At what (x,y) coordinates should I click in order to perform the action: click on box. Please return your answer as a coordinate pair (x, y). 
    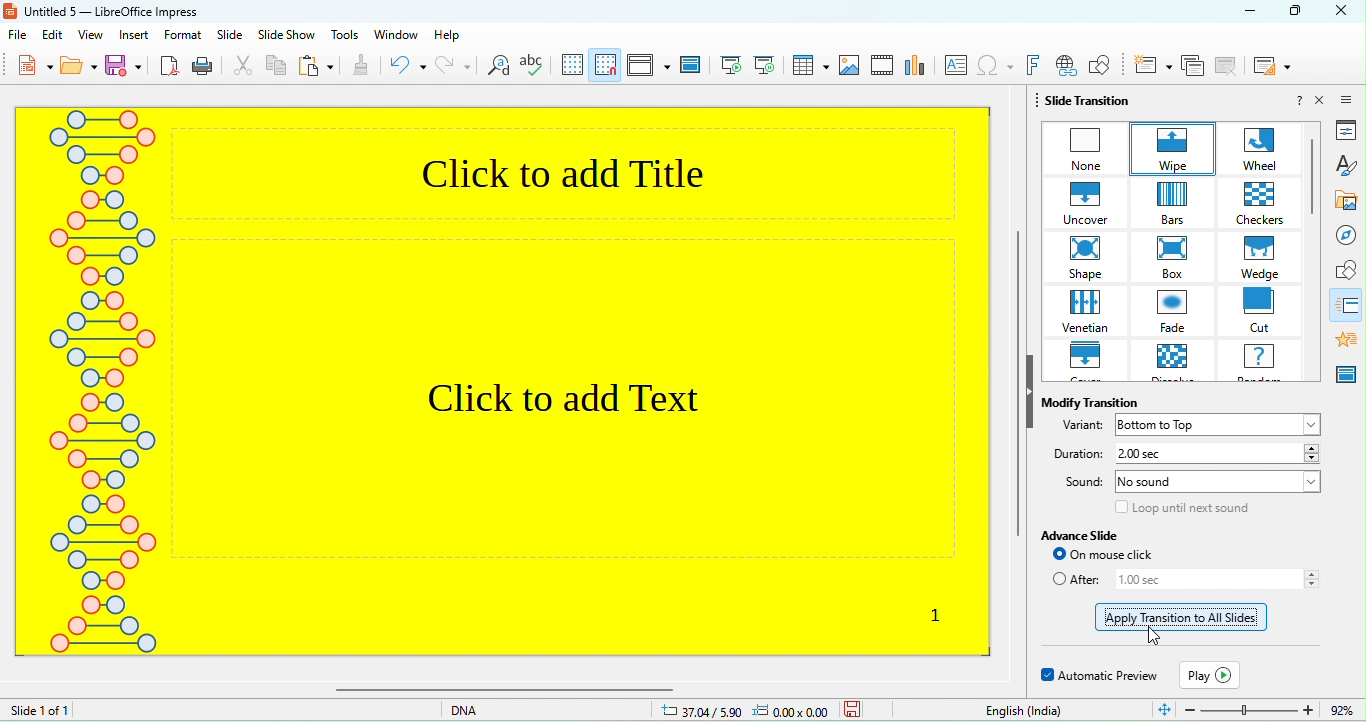
    Looking at the image, I should click on (1179, 259).